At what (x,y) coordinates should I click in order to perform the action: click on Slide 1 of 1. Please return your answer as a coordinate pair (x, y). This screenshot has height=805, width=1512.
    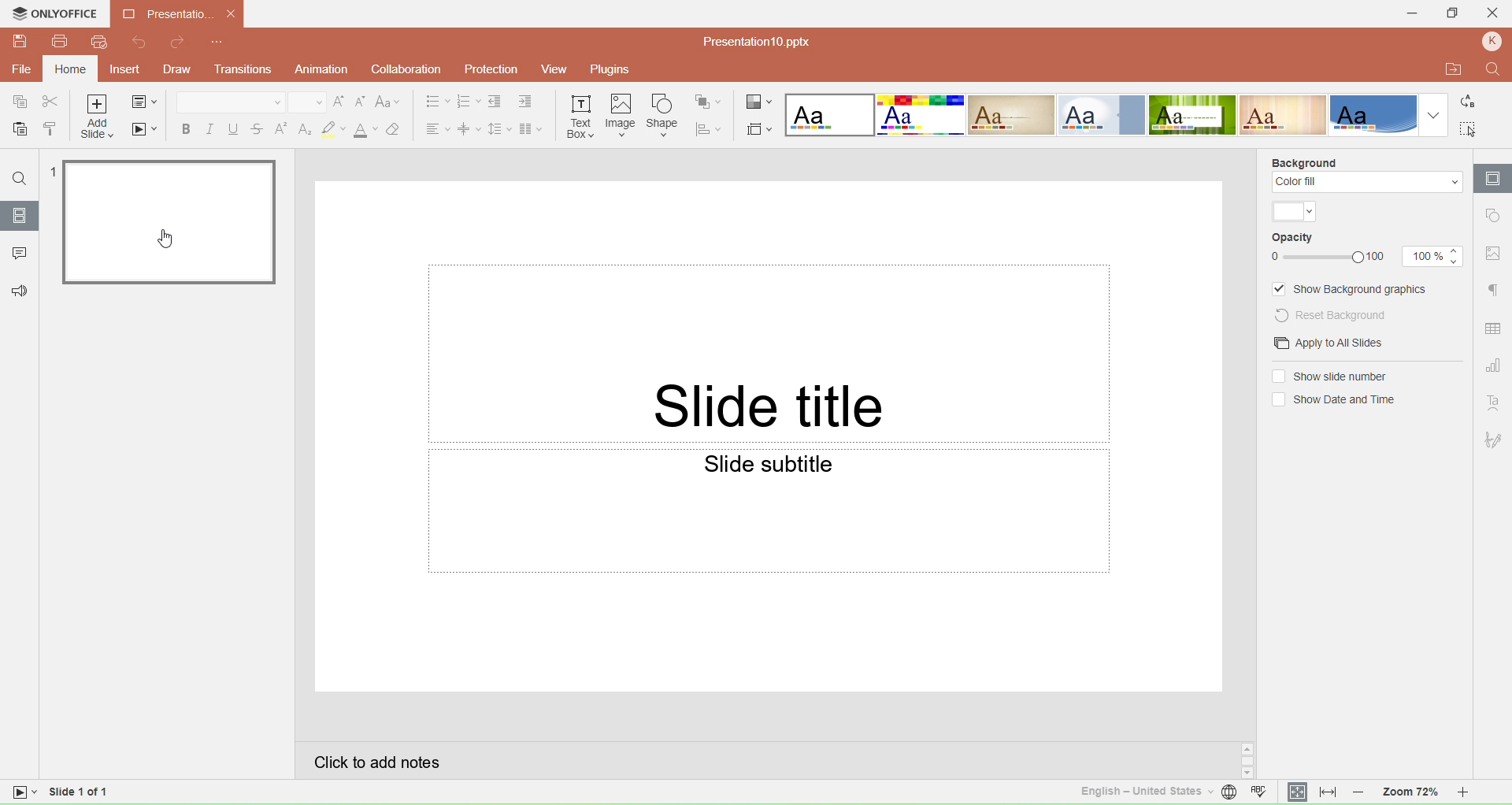
    Looking at the image, I should click on (119, 795).